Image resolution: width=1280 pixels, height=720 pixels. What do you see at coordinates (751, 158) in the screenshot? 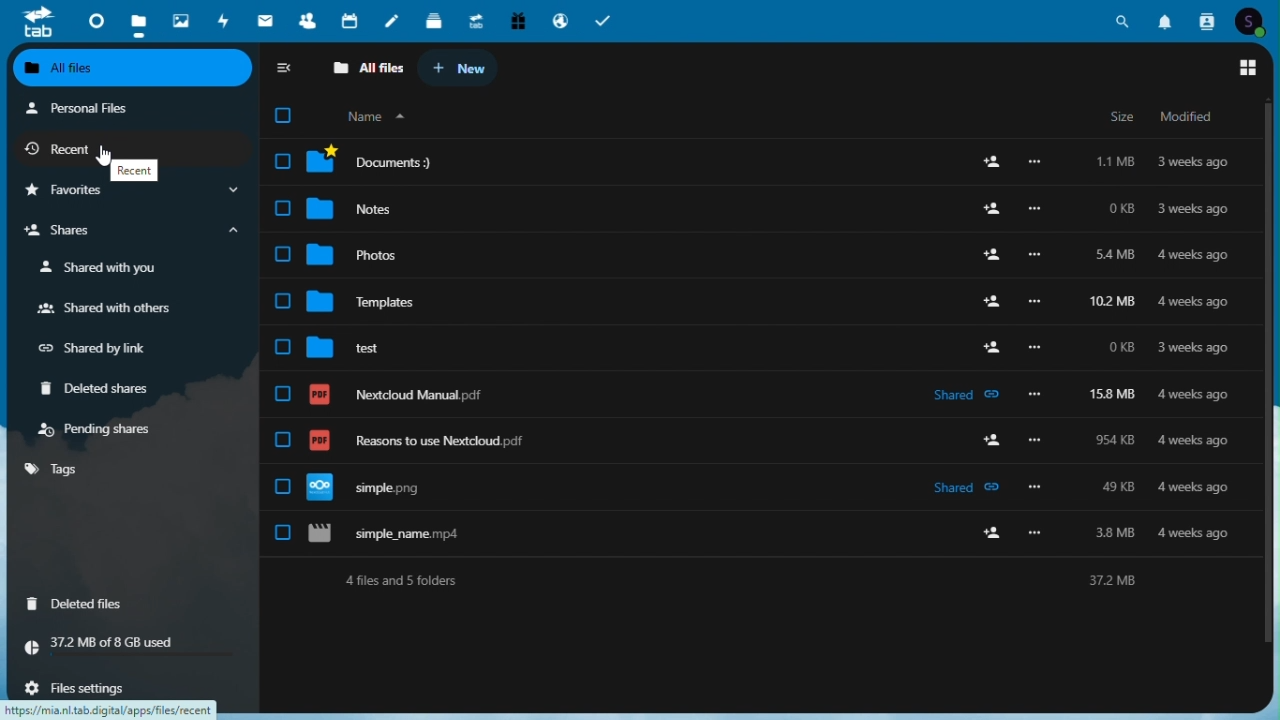
I see `"Documents :)` at bounding box center [751, 158].